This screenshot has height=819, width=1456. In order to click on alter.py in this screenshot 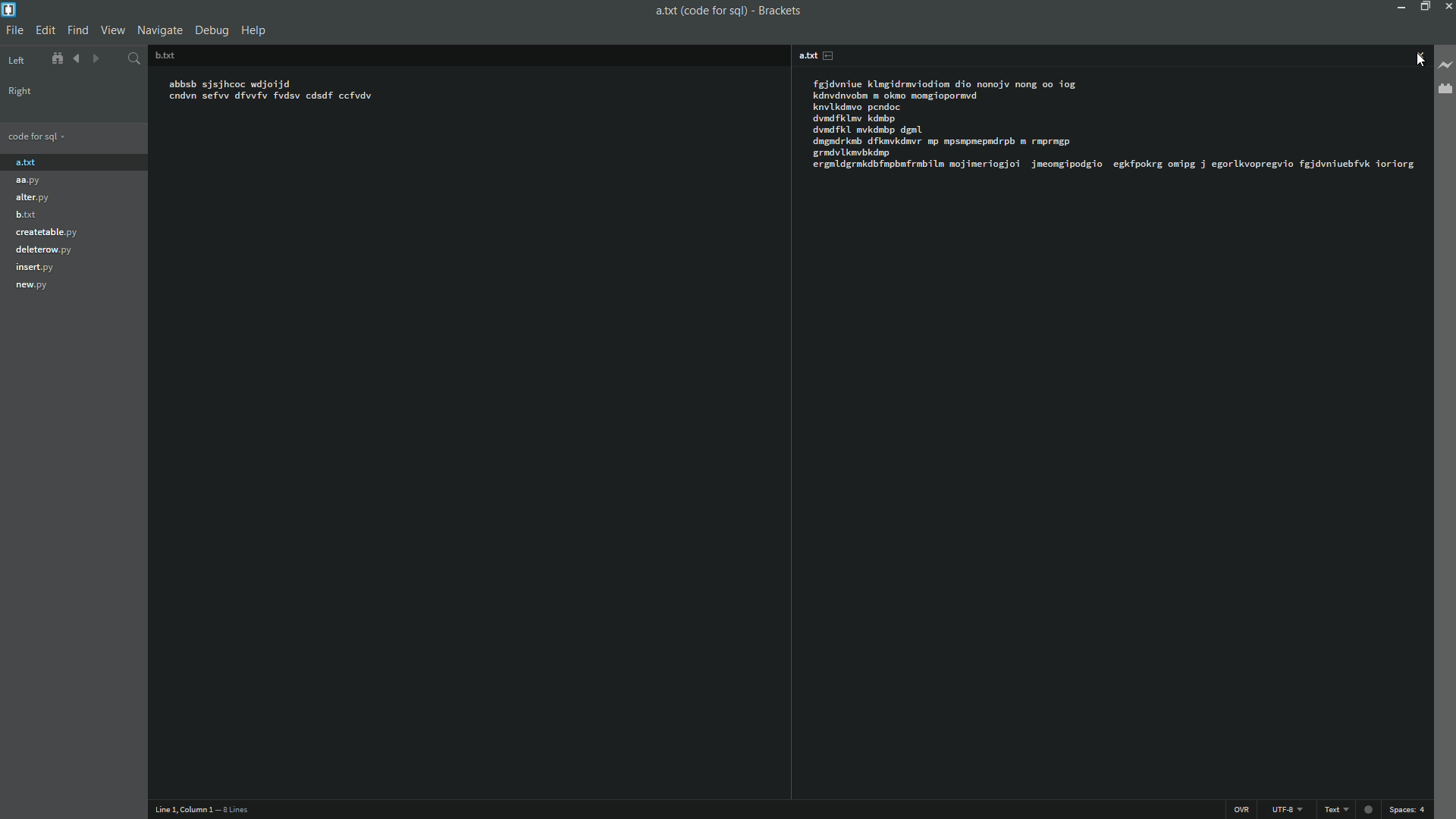, I will do `click(35, 198)`.